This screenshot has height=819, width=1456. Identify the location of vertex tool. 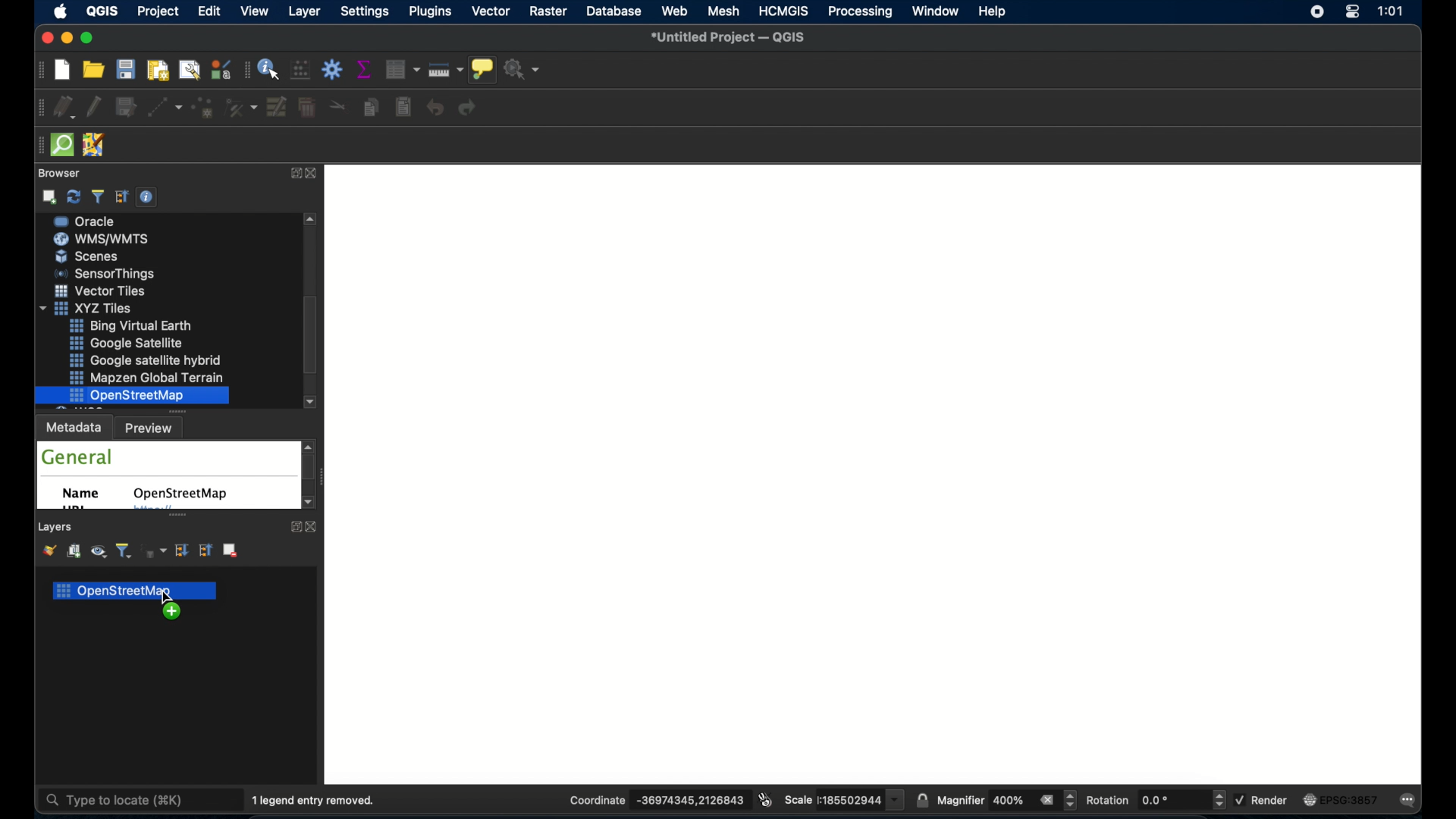
(241, 107).